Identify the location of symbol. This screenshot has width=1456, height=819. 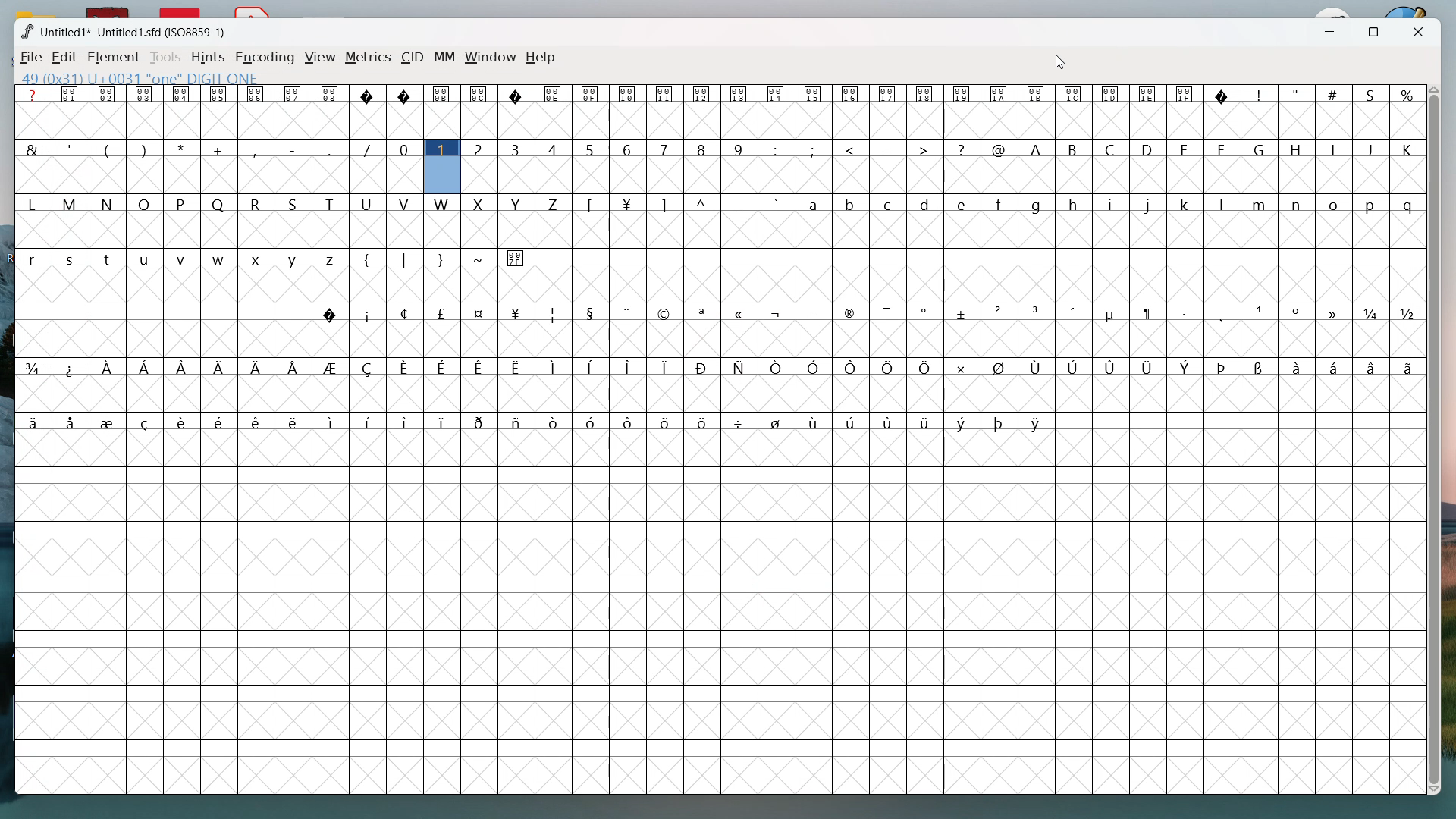
(1037, 422).